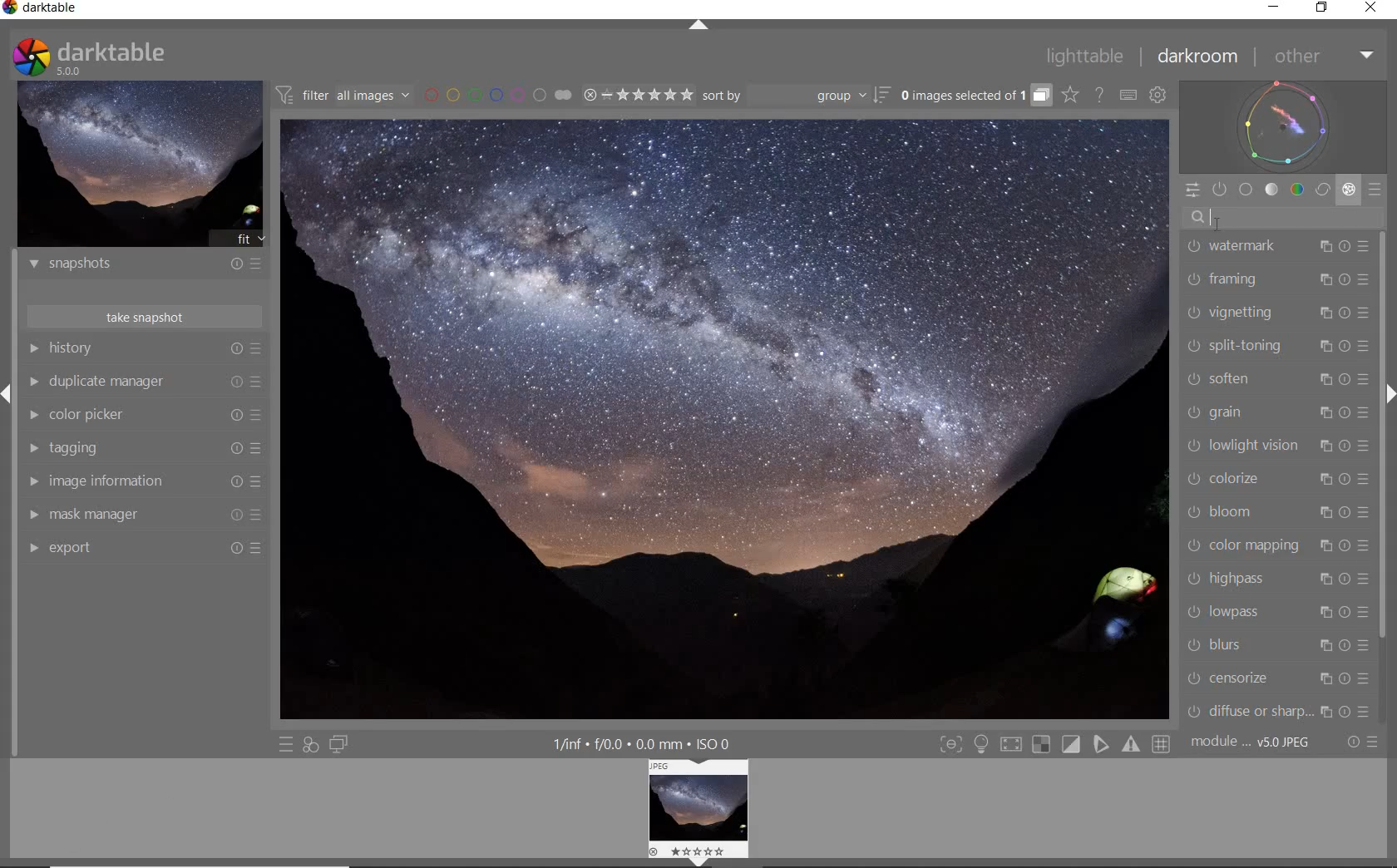  What do you see at coordinates (1362, 612) in the screenshot?
I see `presets` at bounding box center [1362, 612].